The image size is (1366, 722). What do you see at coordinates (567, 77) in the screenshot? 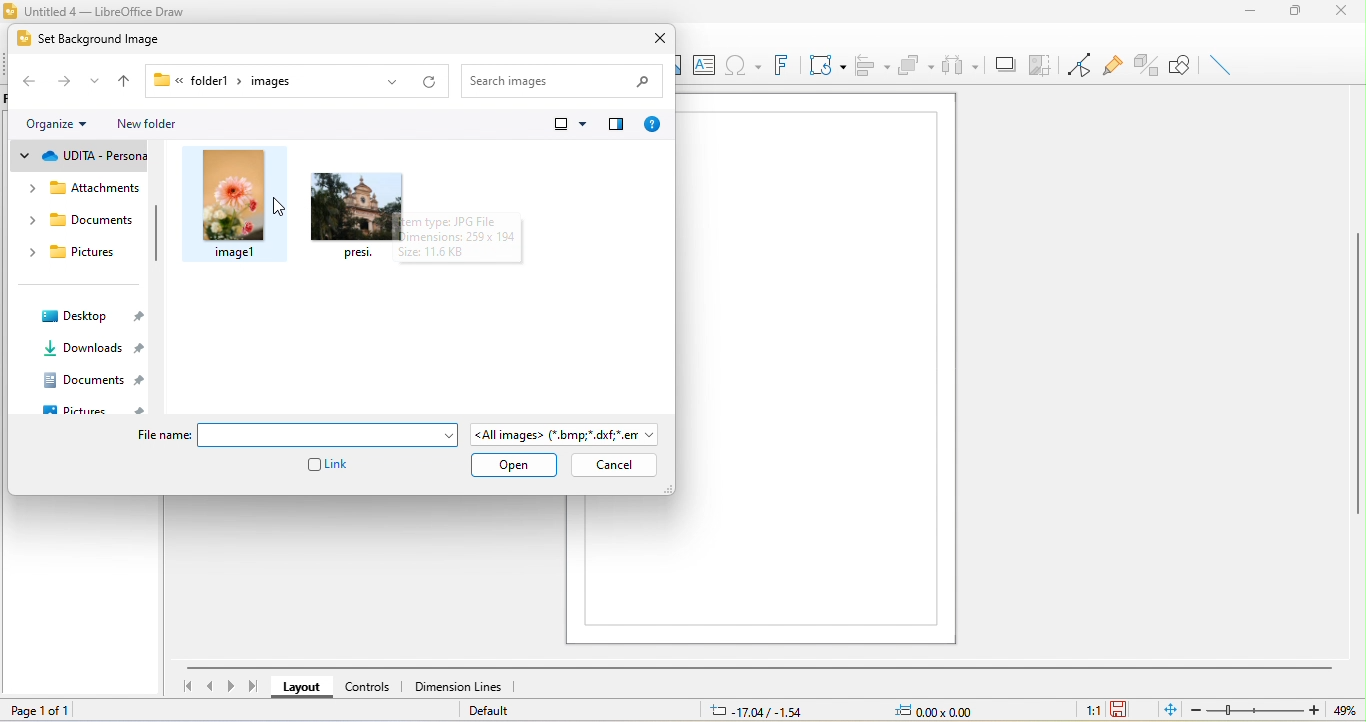
I see `search` at bounding box center [567, 77].